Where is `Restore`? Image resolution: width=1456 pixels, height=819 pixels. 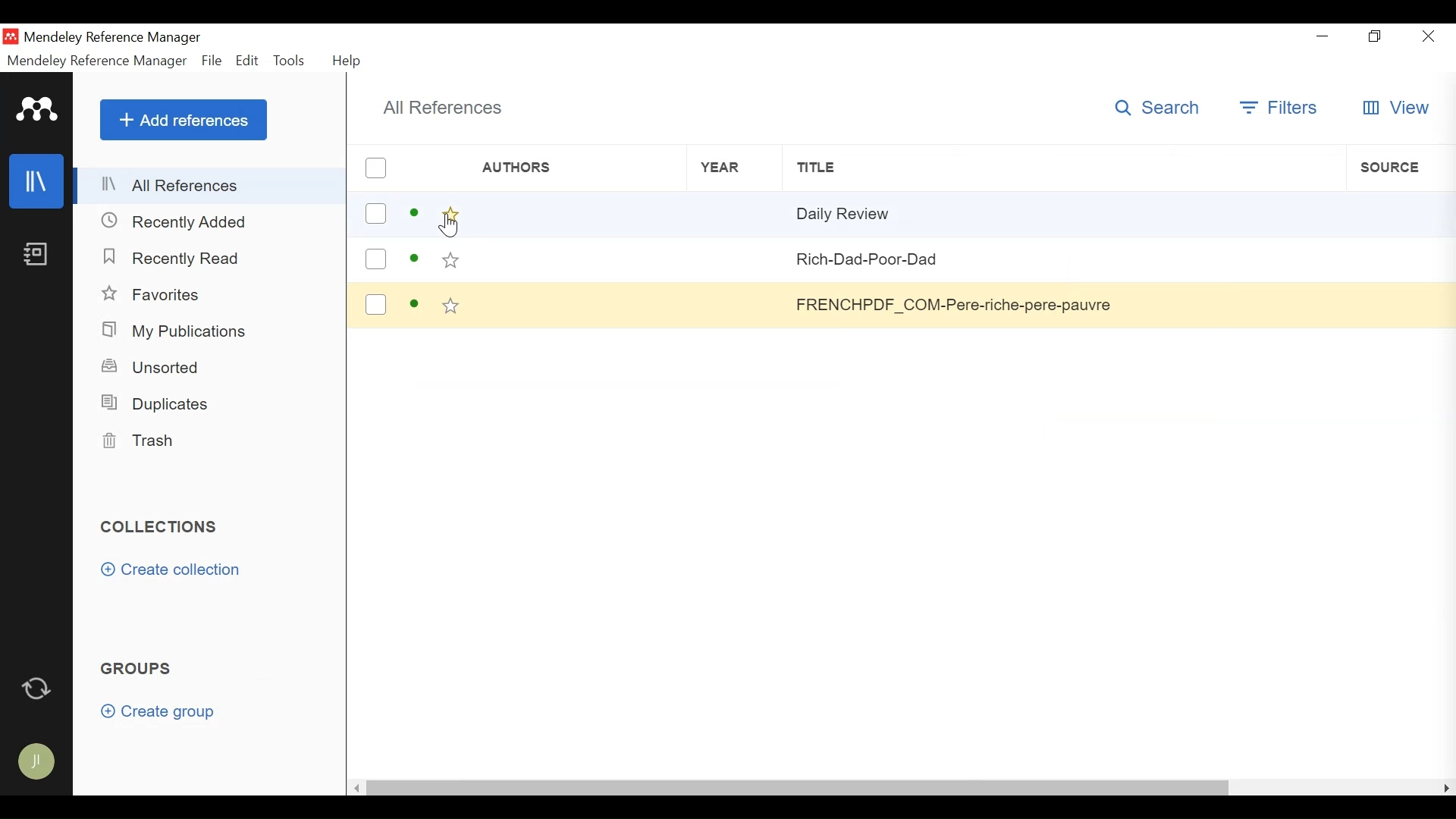
Restore is located at coordinates (1376, 36).